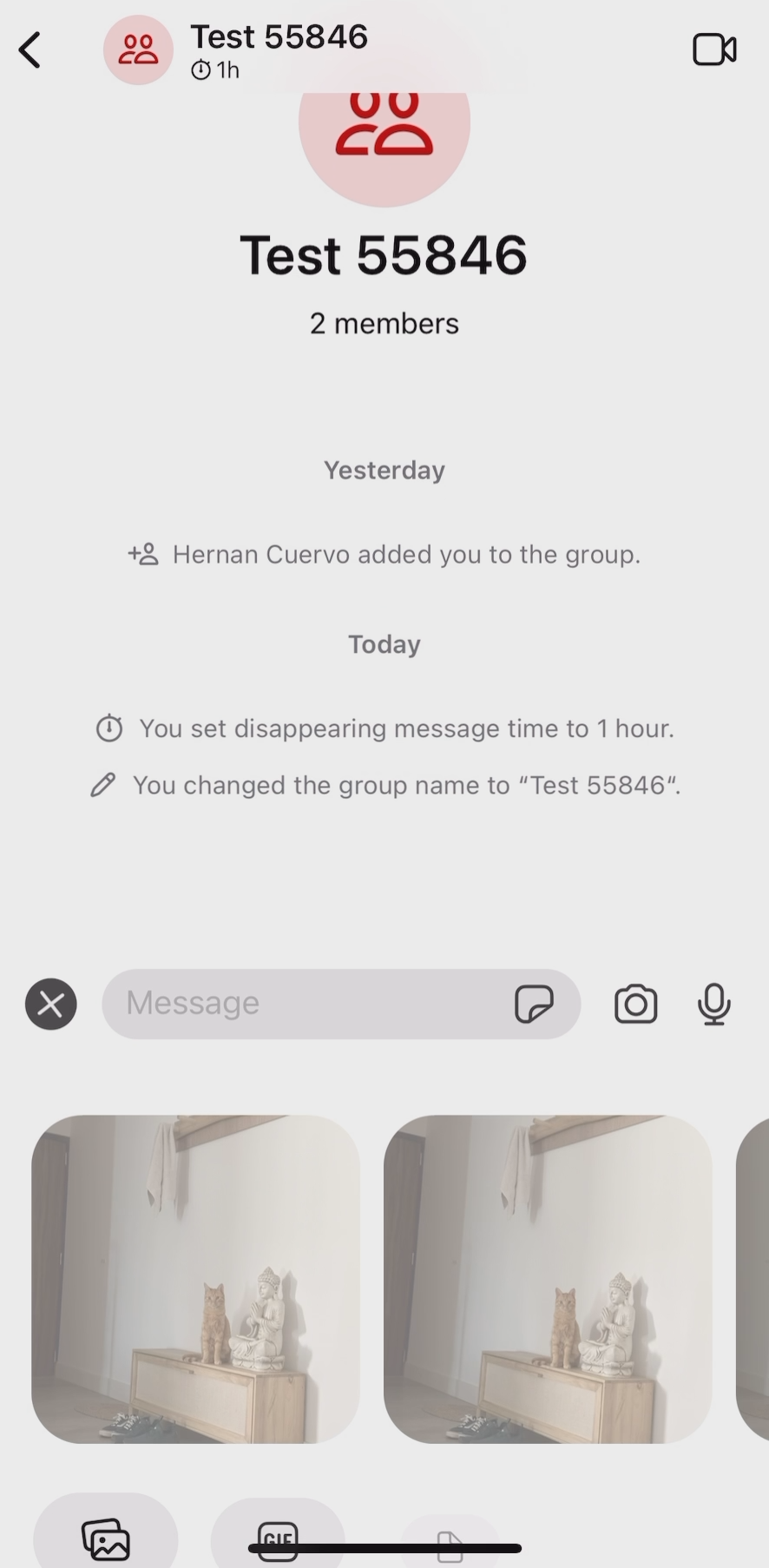 Image resolution: width=769 pixels, height=1568 pixels. I want to click on name of the group, so click(240, 47).